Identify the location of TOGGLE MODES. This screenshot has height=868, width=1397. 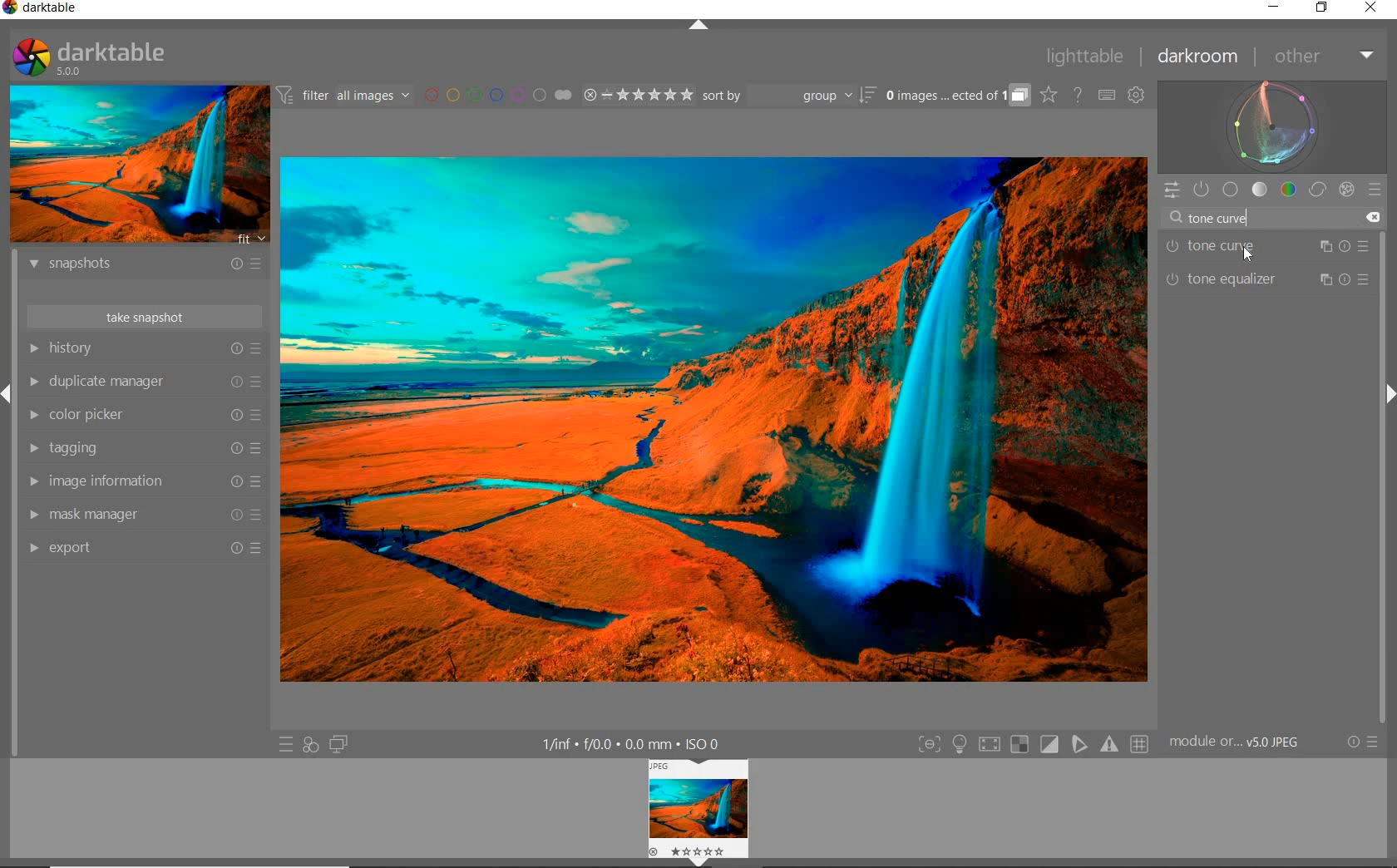
(1032, 745).